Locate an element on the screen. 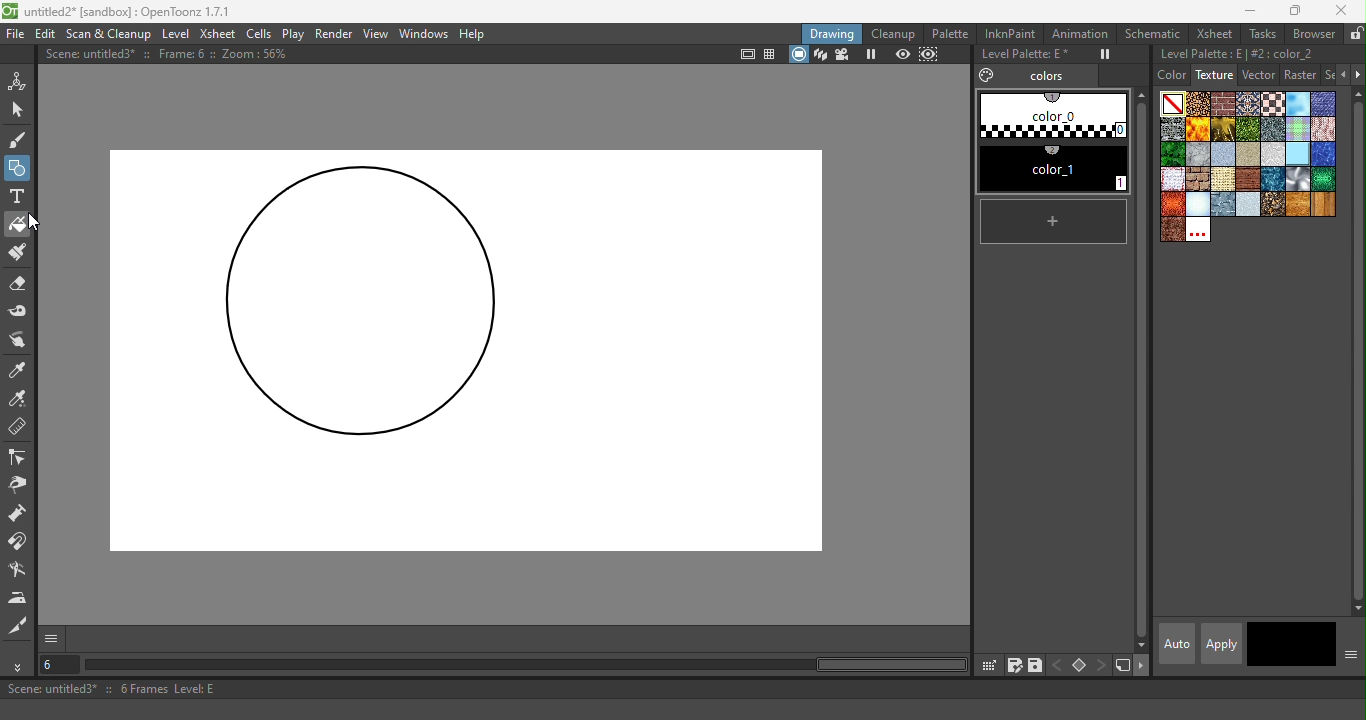  pool.bmp is located at coordinates (1323, 154).